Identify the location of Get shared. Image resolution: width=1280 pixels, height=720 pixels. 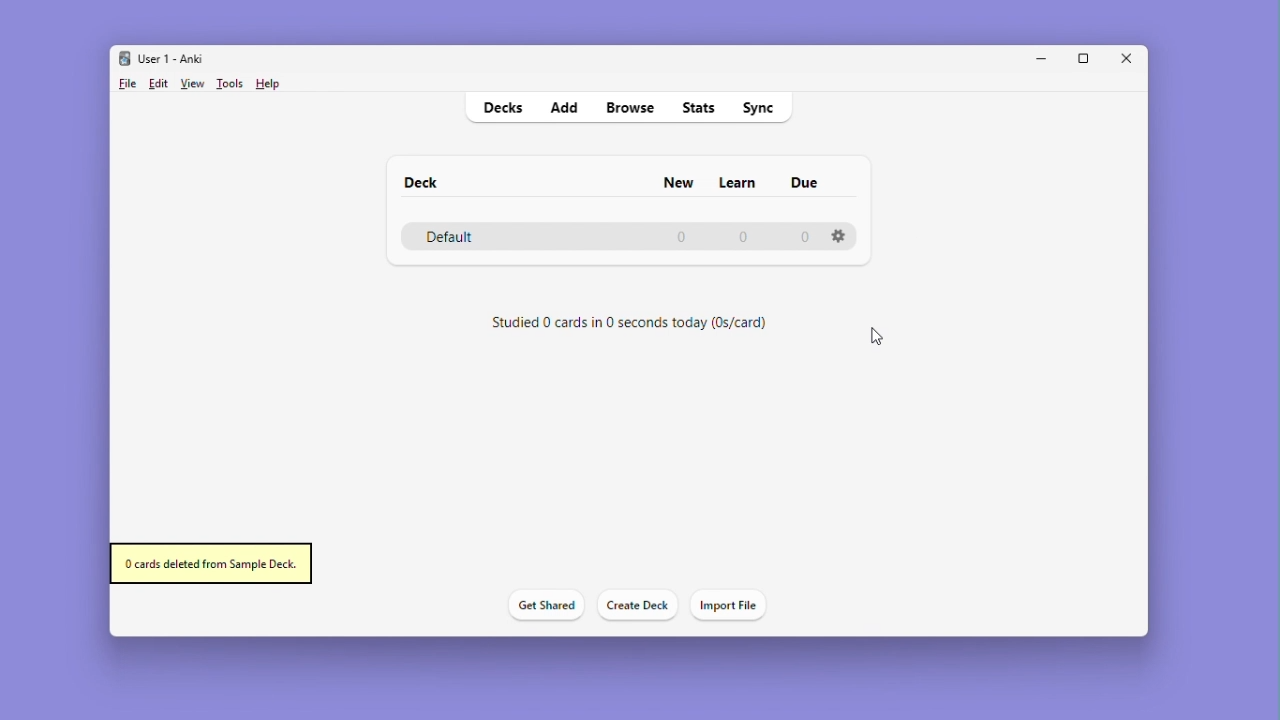
(540, 607).